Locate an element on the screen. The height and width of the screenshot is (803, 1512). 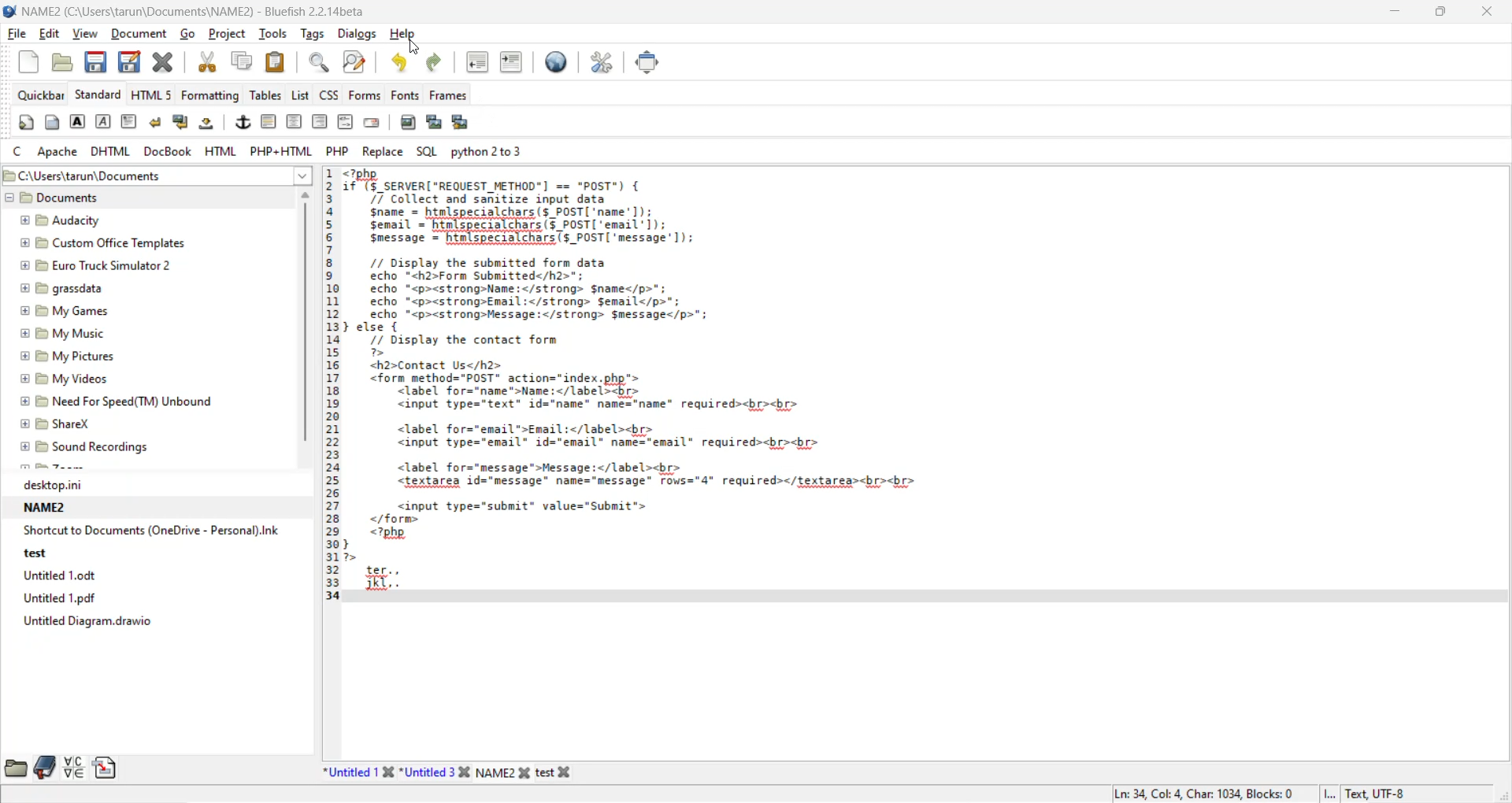
file browser is located at coordinates (18, 766).